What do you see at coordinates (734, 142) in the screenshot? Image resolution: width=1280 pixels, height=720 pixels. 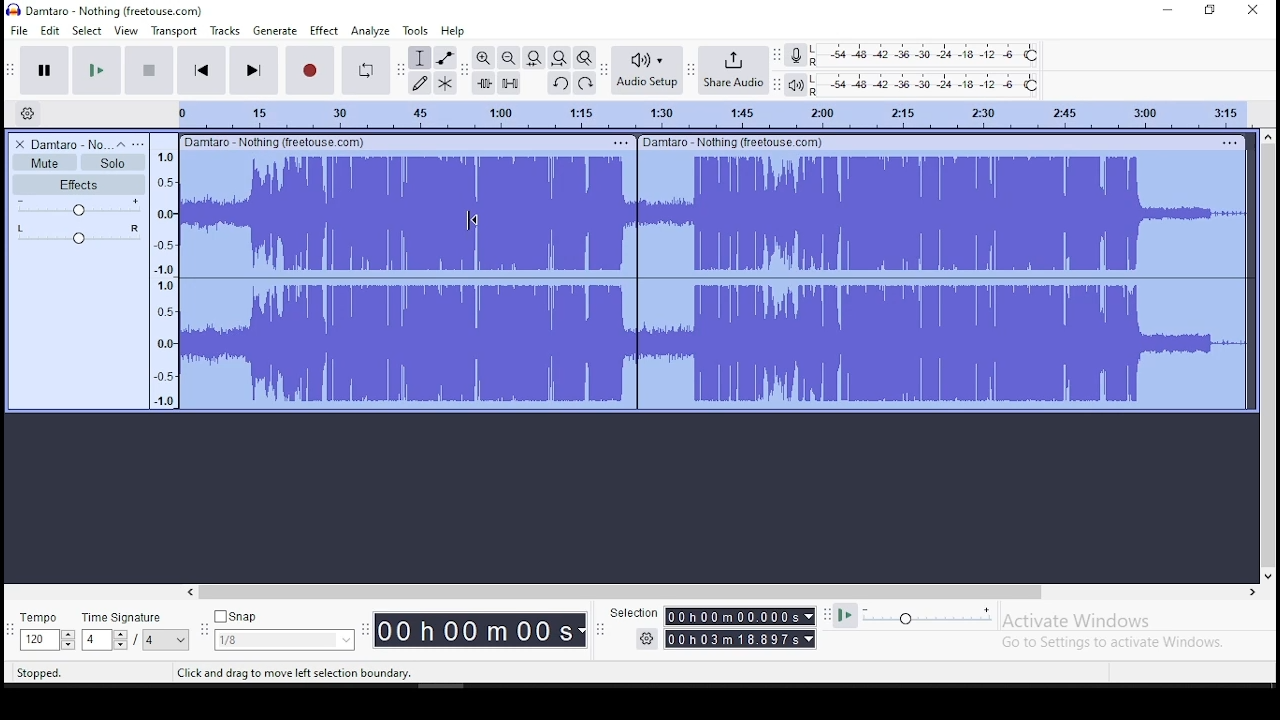 I see `Damtaro-Nothing (freehouse.com)` at bounding box center [734, 142].